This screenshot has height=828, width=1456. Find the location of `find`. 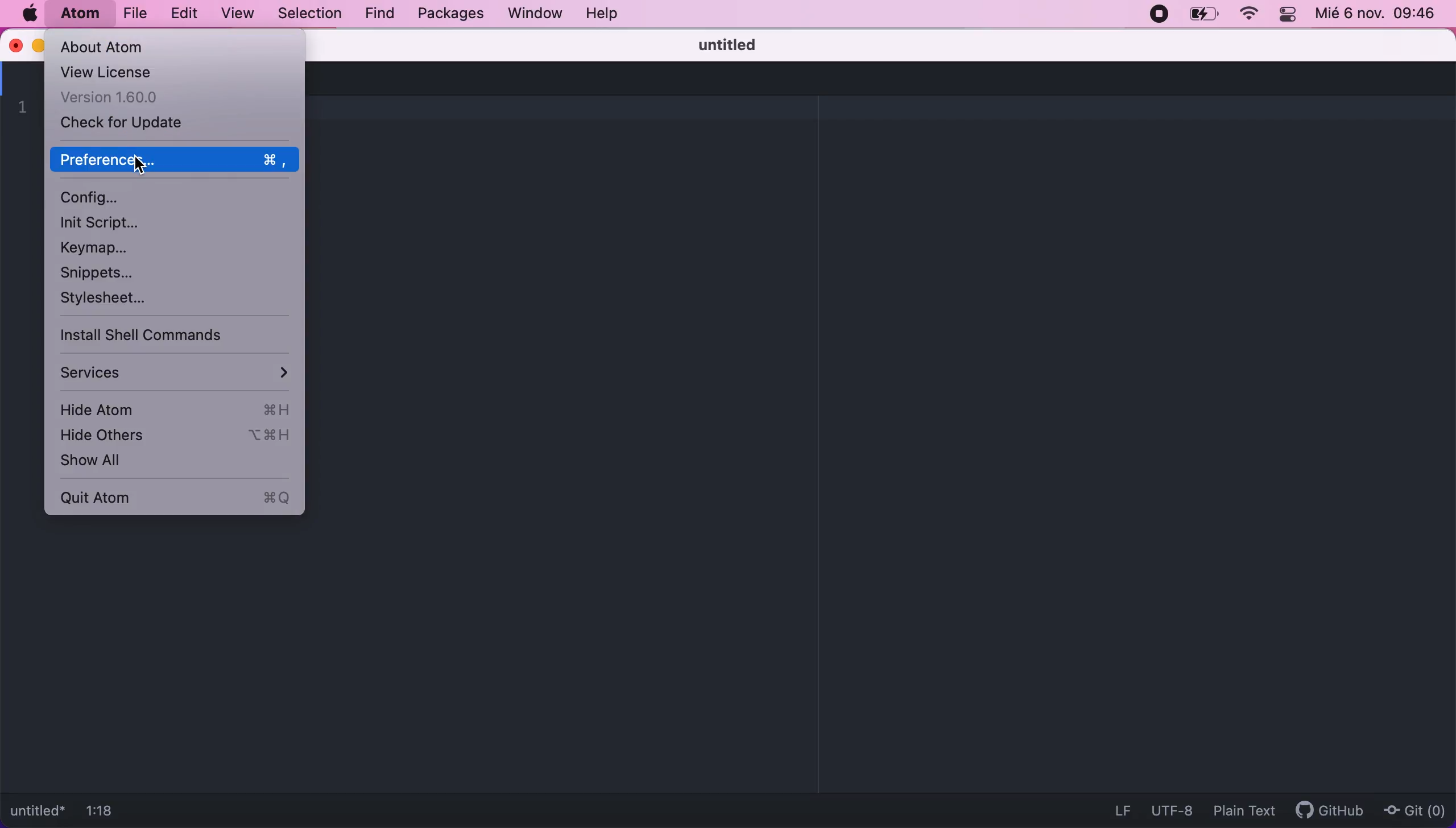

find is located at coordinates (380, 15).